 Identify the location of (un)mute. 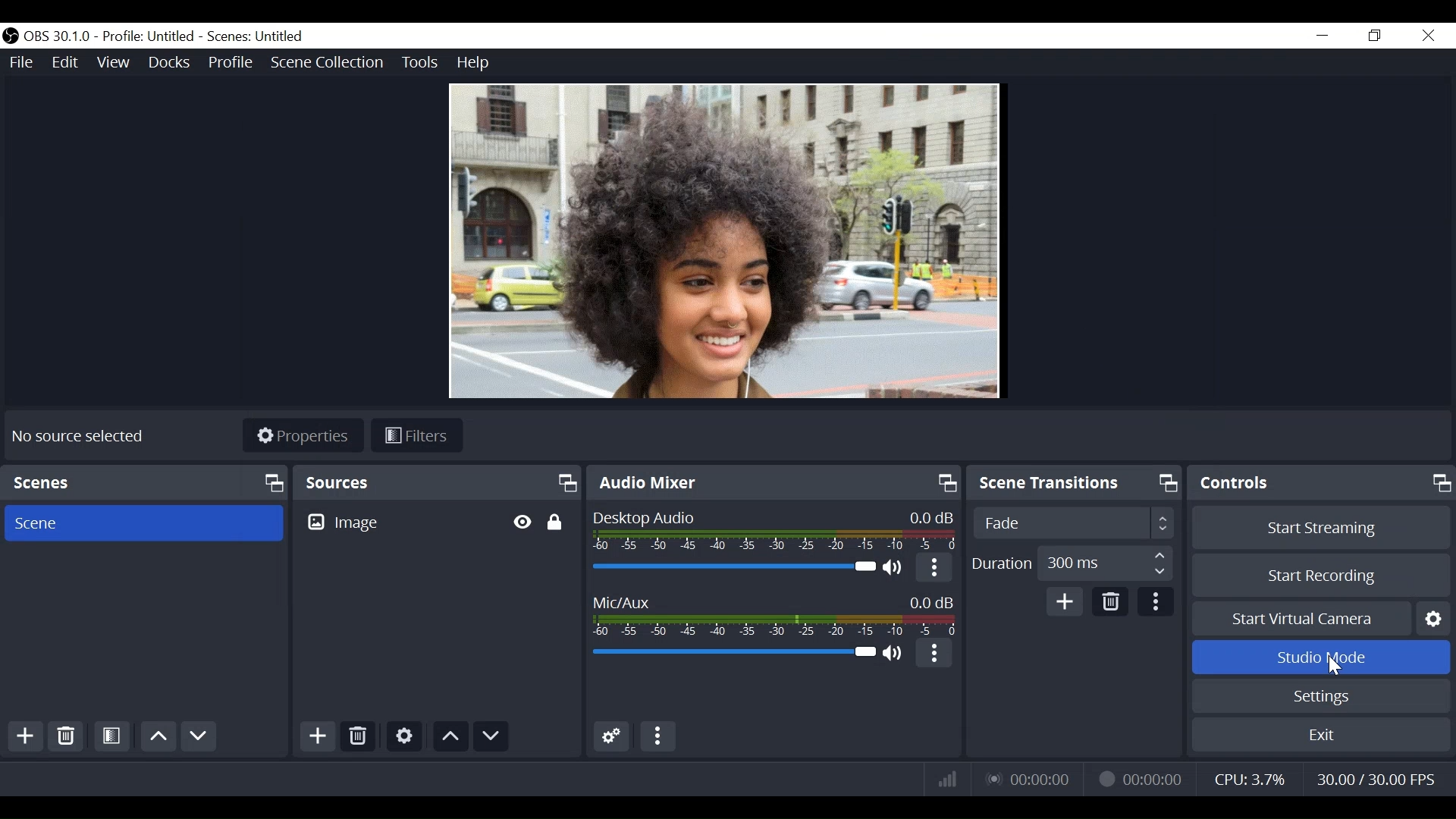
(895, 569).